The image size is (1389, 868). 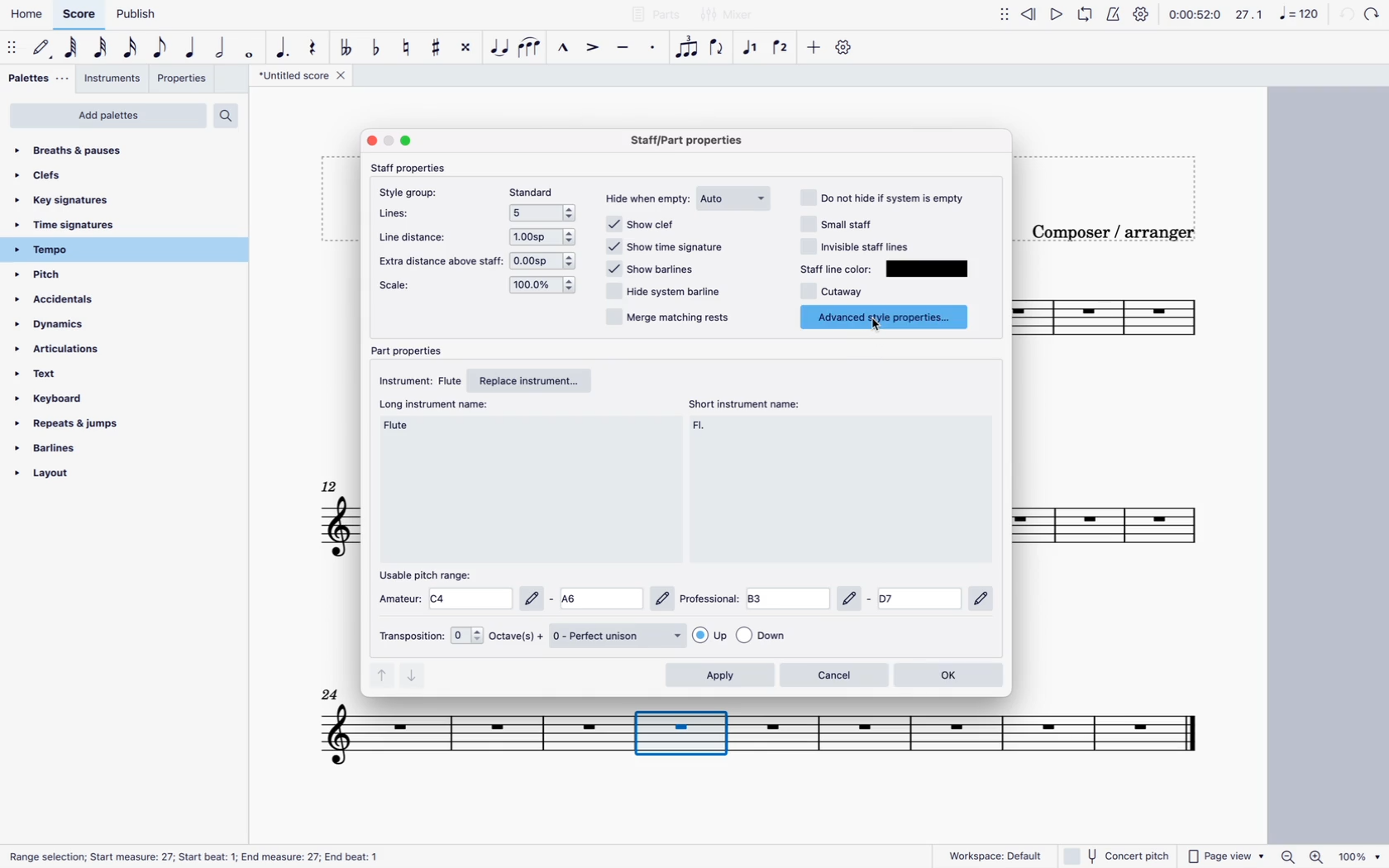 What do you see at coordinates (65, 202) in the screenshot?
I see `key signatures` at bounding box center [65, 202].